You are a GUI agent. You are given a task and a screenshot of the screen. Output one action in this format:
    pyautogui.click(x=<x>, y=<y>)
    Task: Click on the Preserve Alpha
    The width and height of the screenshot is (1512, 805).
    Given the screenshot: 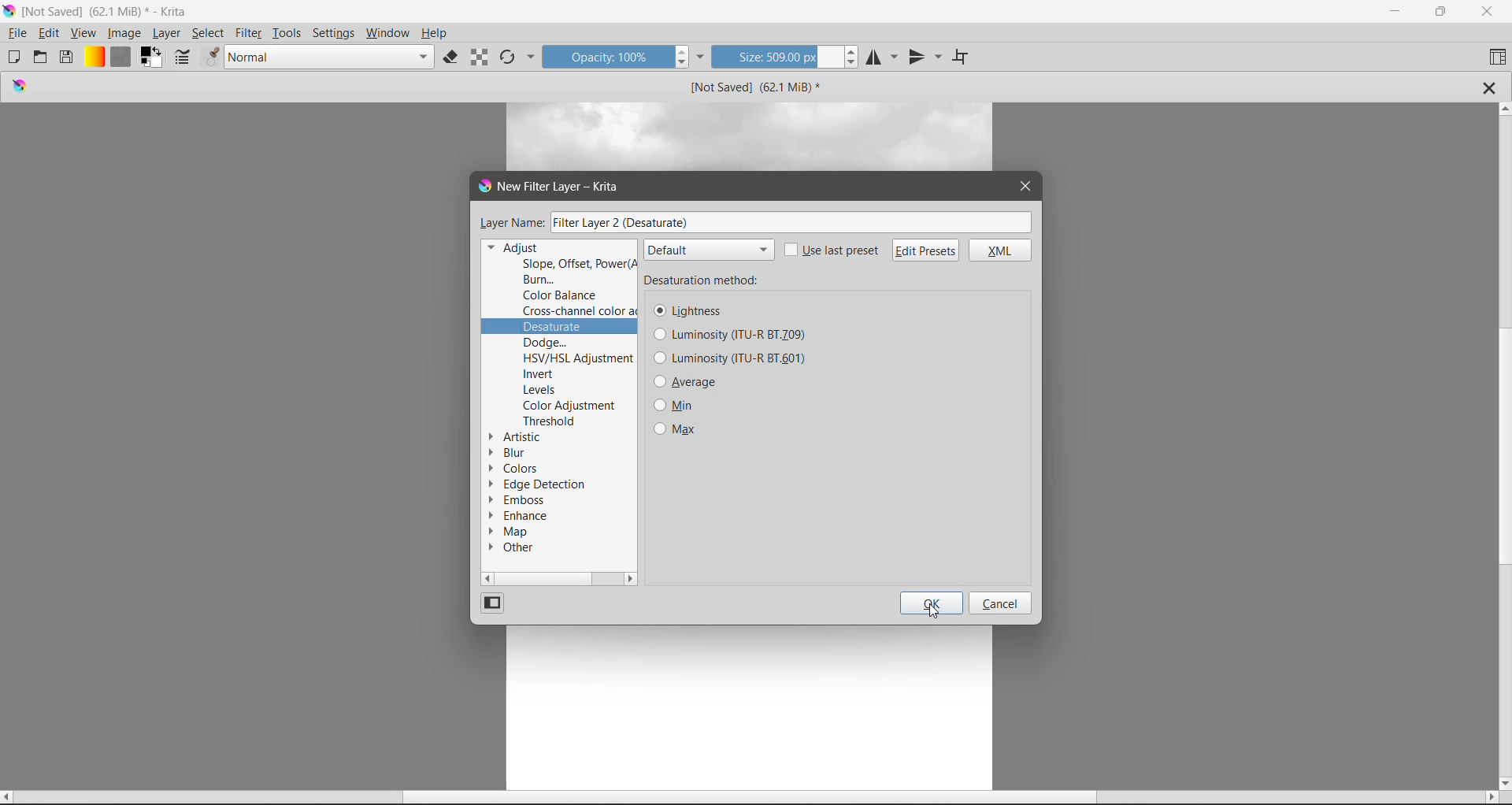 What is the action you would take?
    pyautogui.click(x=480, y=57)
    